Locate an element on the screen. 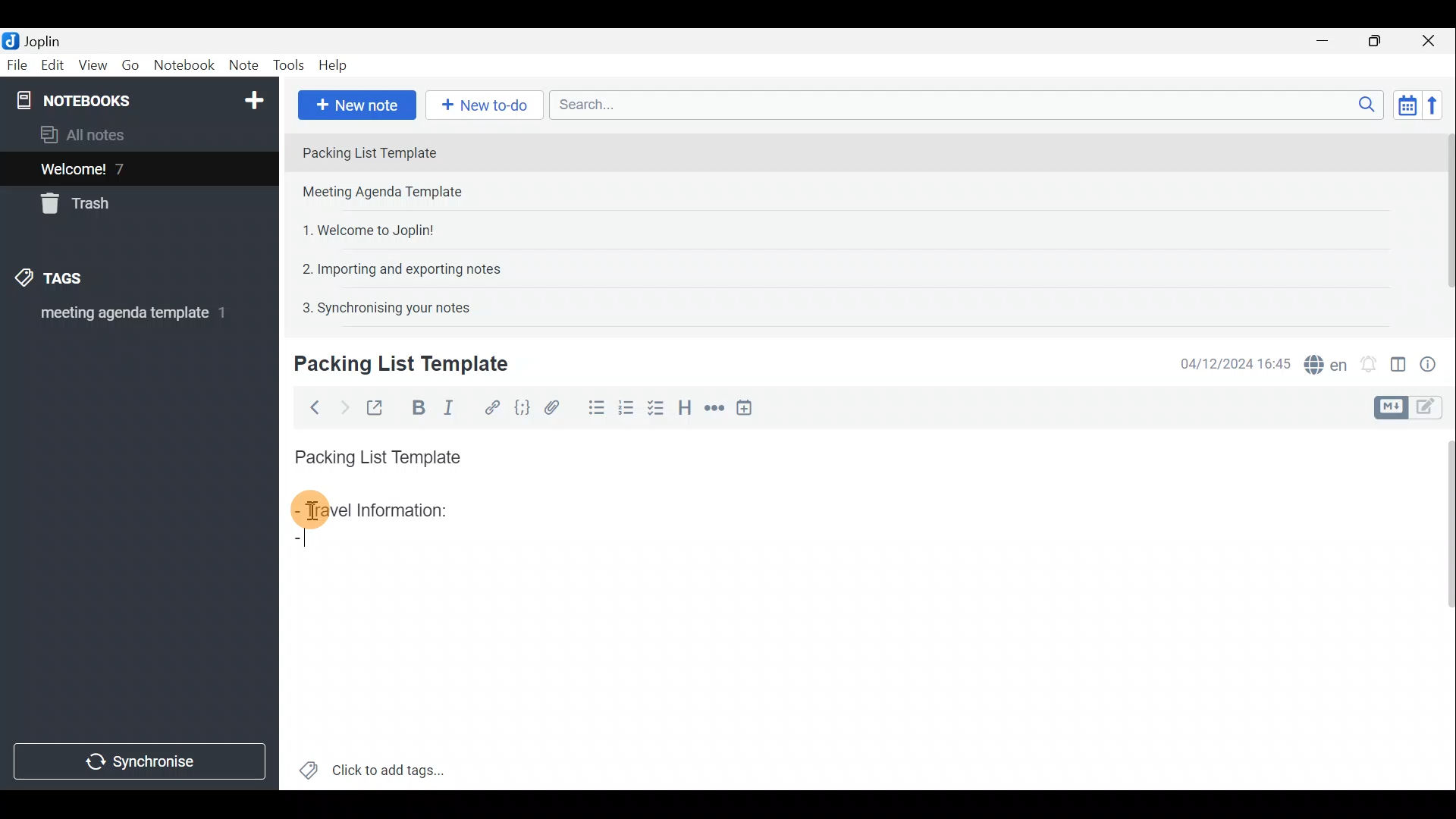  Bulleted list is located at coordinates (593, 410).